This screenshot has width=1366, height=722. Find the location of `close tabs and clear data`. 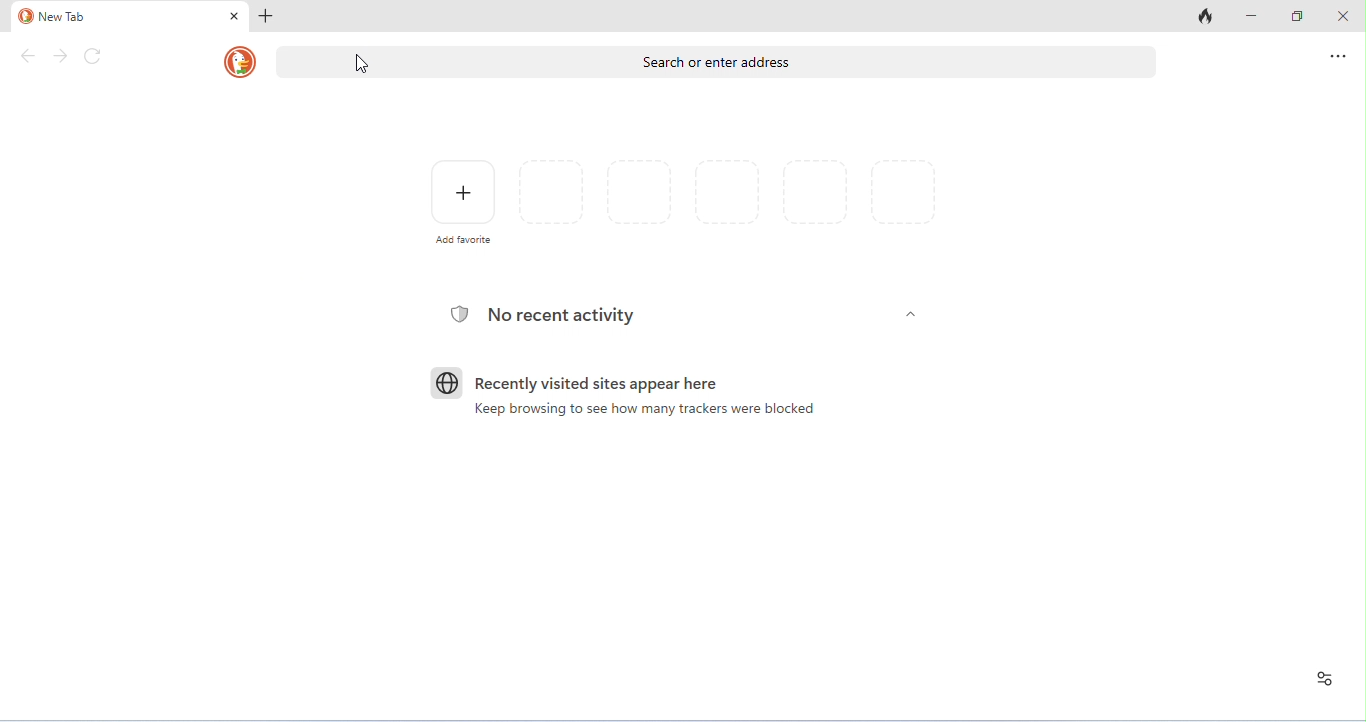

close tabs and clear data is located at coordinates (1204, 17).